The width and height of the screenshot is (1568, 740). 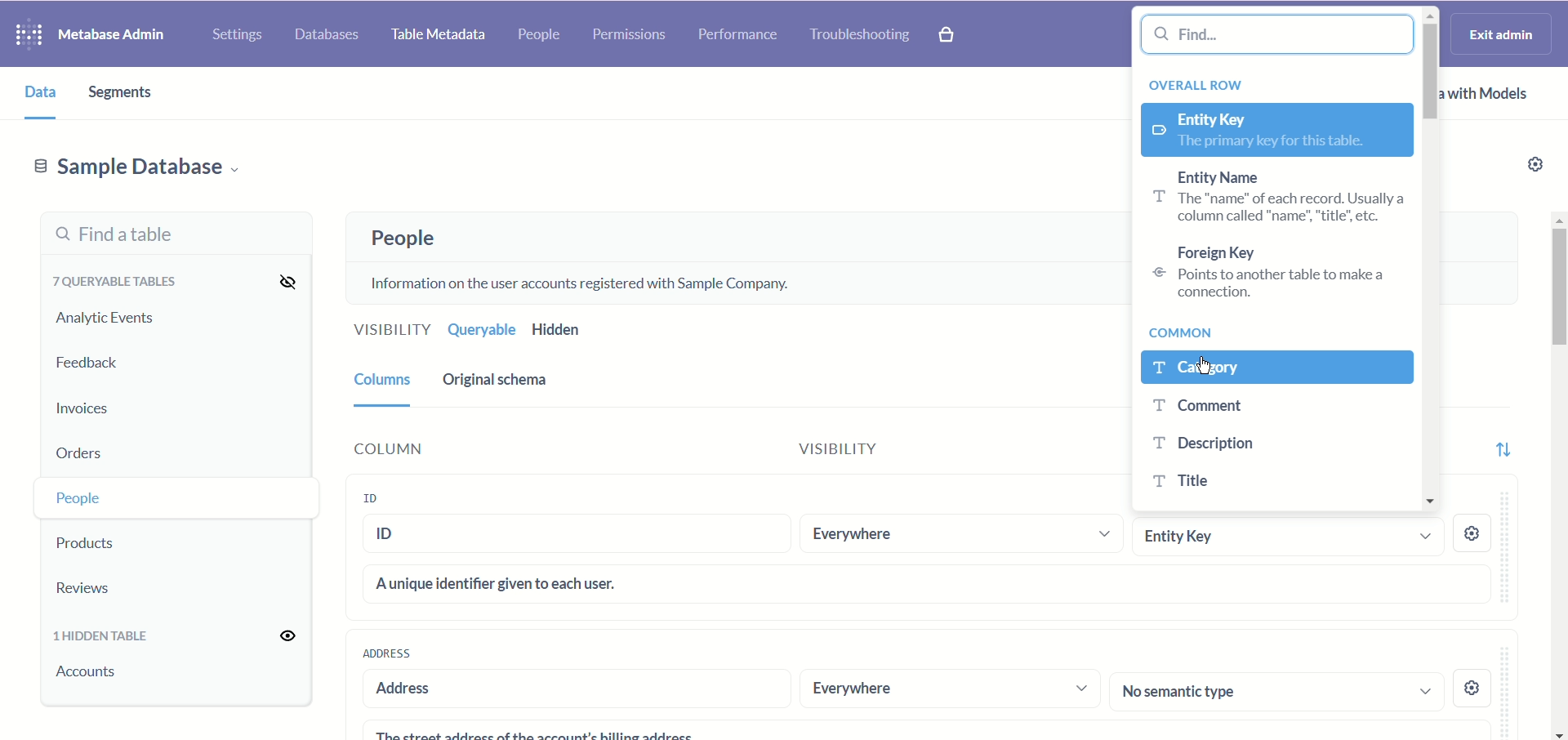 What do you see at coordinates (1277, 368) in the screenshot?
I see `Category` at bounding box center [1277, 368].